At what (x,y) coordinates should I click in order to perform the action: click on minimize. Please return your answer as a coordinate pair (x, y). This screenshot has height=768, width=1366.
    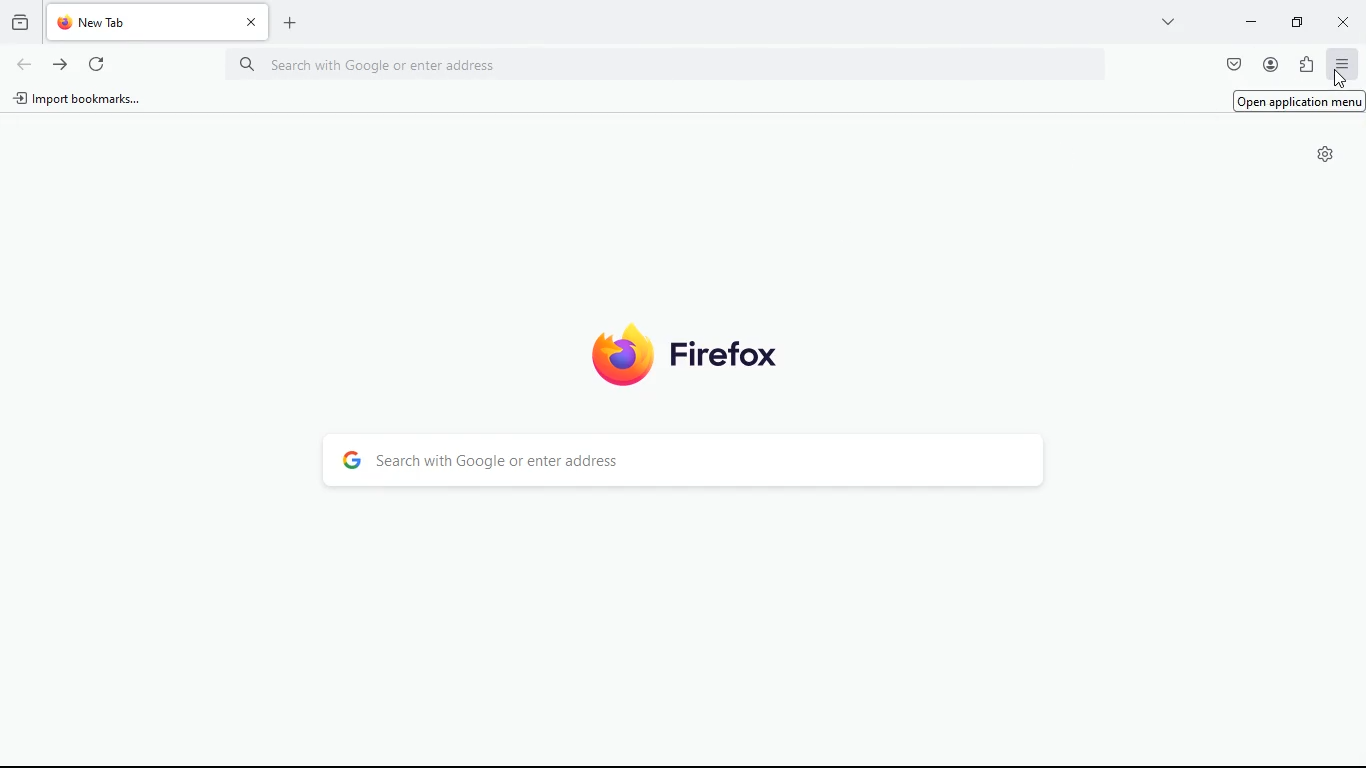
    Looking at the image, I should click on (1251, 21).